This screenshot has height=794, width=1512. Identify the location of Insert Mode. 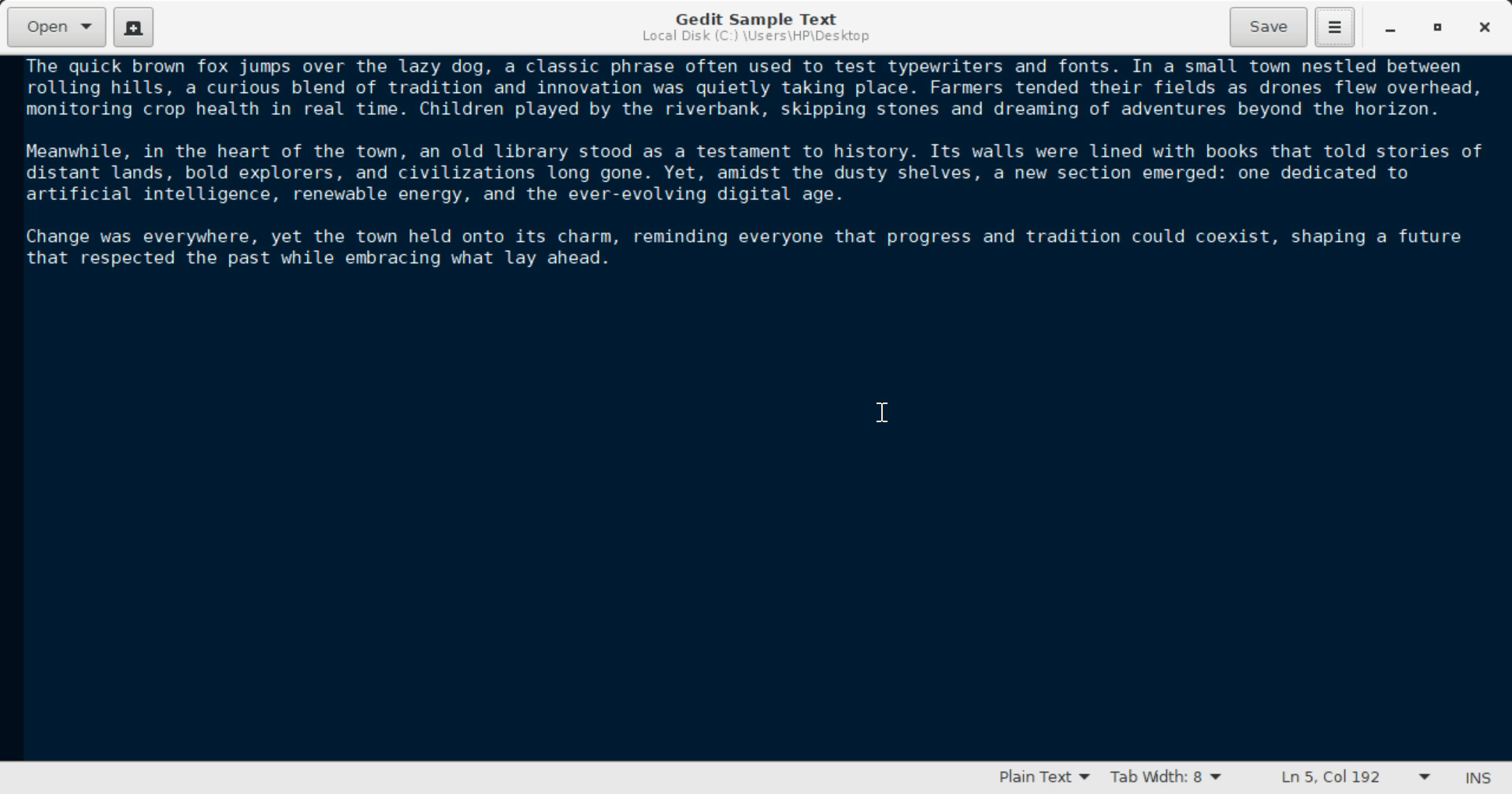
(1475, 778).